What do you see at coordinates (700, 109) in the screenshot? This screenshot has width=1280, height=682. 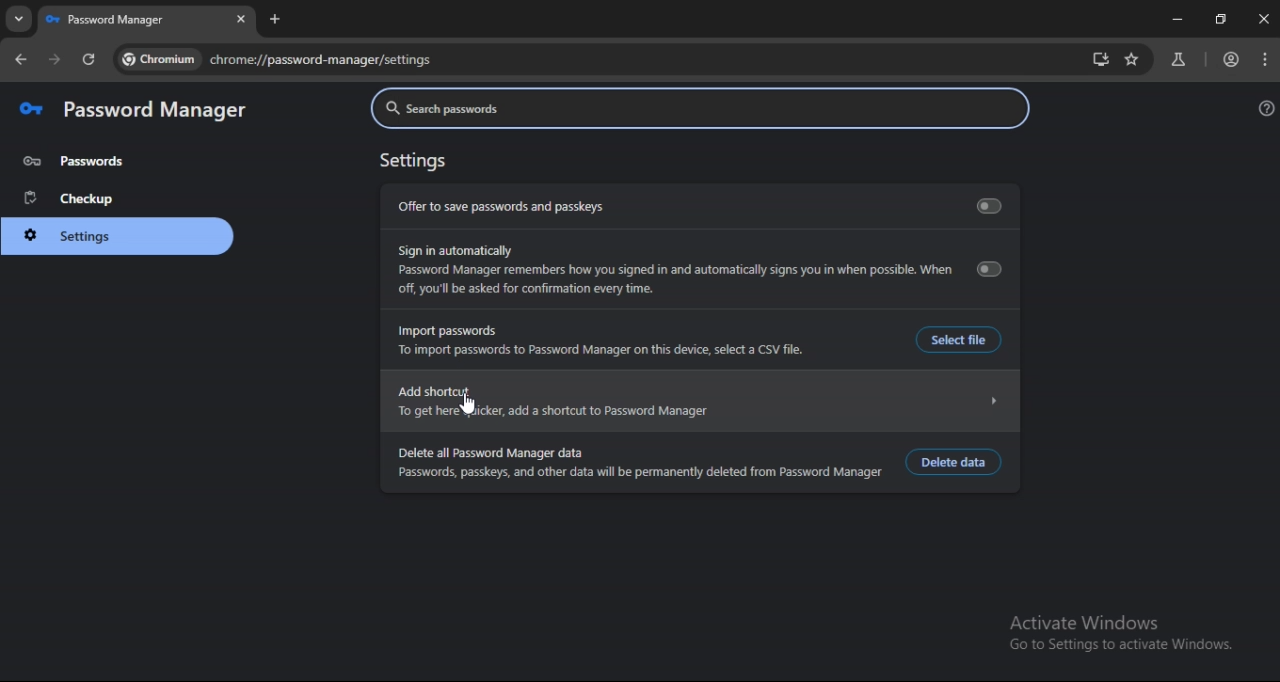 I see `search passwords` at bounding box center [700, 109].